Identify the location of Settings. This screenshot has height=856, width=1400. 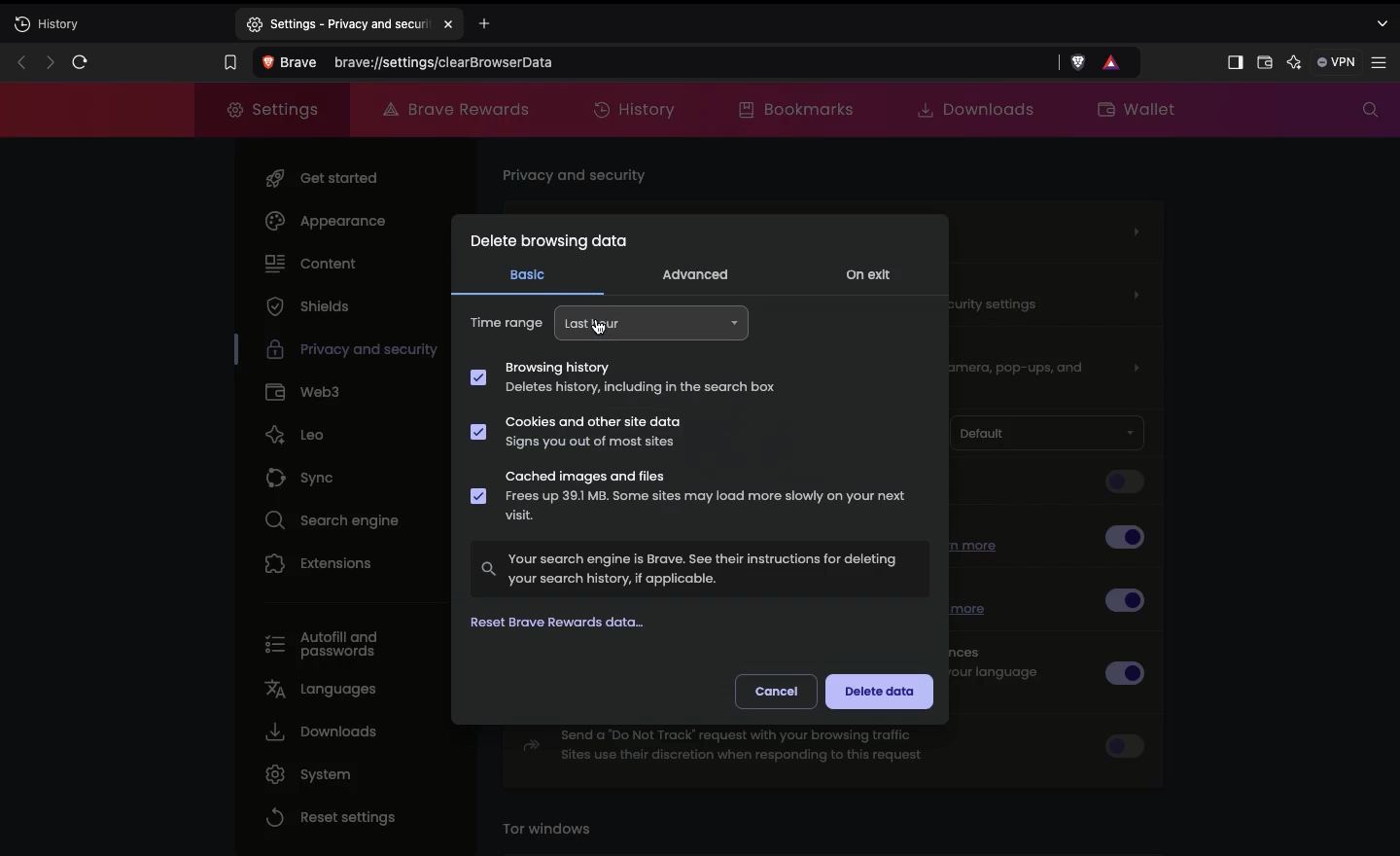
(274, 110).